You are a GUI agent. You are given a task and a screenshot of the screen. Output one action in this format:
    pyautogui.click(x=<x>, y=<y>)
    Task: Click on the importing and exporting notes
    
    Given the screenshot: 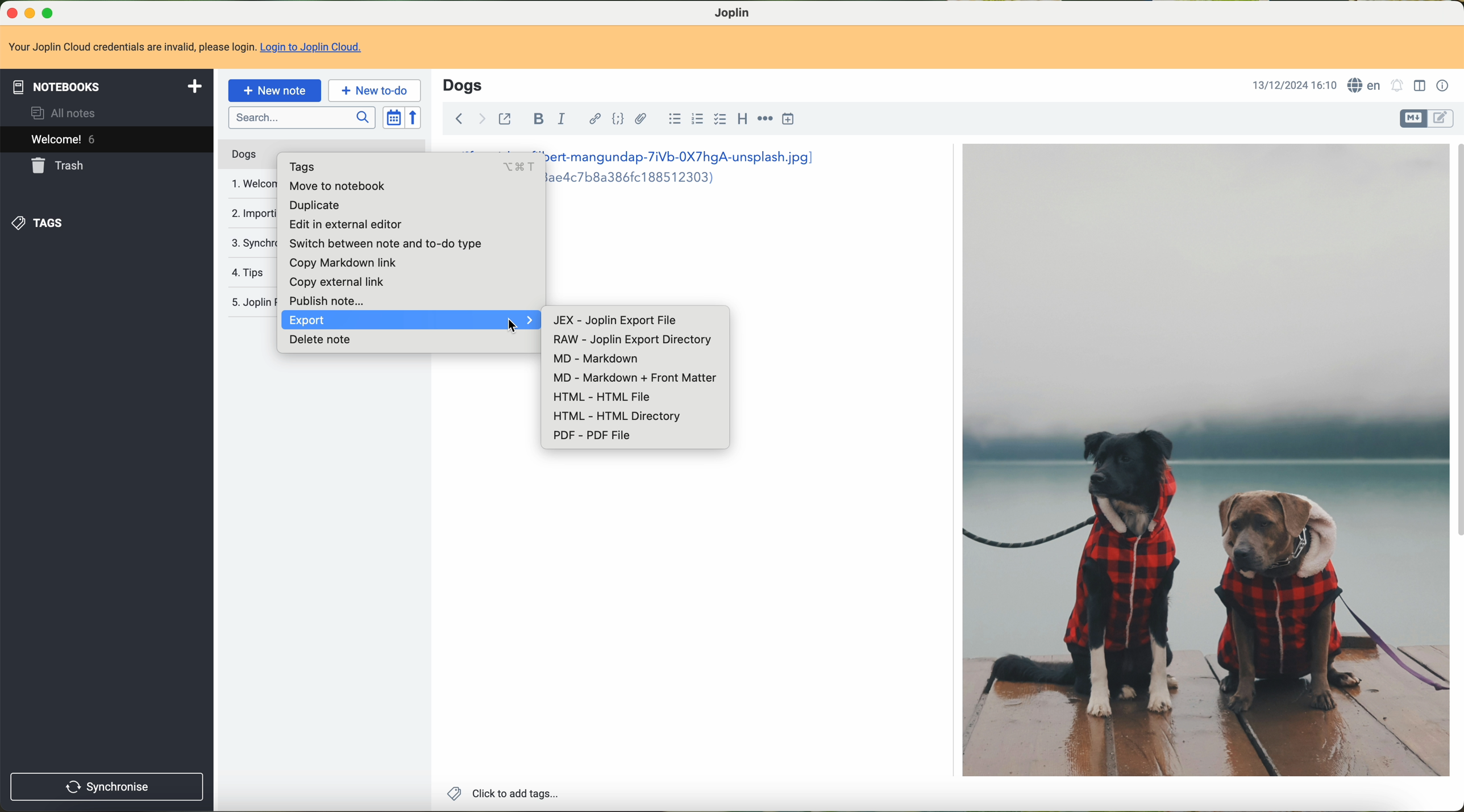 What is the action you would take?
    pyautogui.click(x=251, y=213)
    